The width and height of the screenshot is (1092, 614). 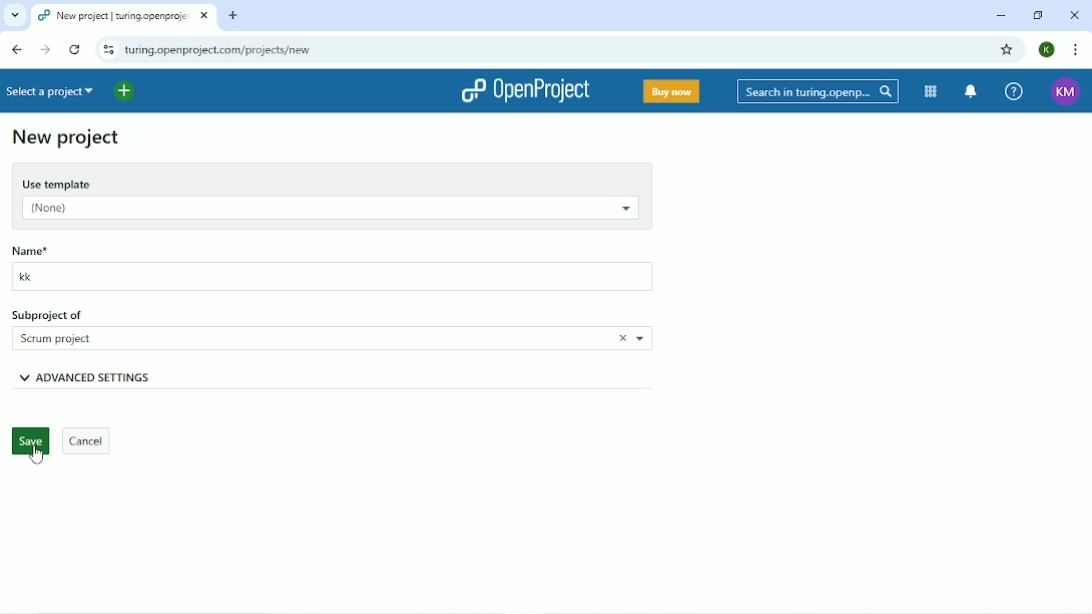 I want to click on Search in turing.openproject, so click(x=816, y=91).